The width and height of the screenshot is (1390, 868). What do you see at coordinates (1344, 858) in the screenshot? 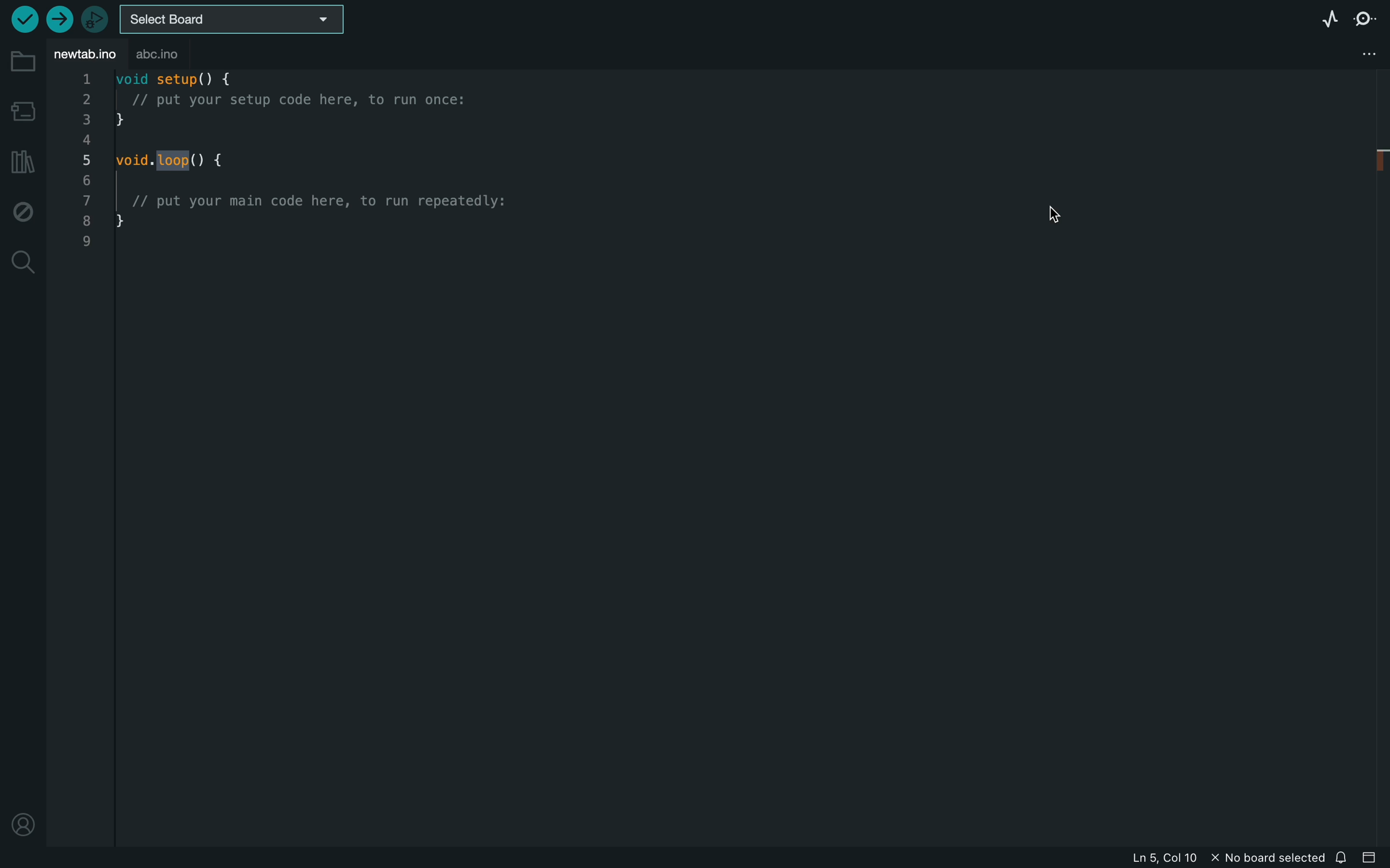
I see `notification` at bounding box center [1344, 858].